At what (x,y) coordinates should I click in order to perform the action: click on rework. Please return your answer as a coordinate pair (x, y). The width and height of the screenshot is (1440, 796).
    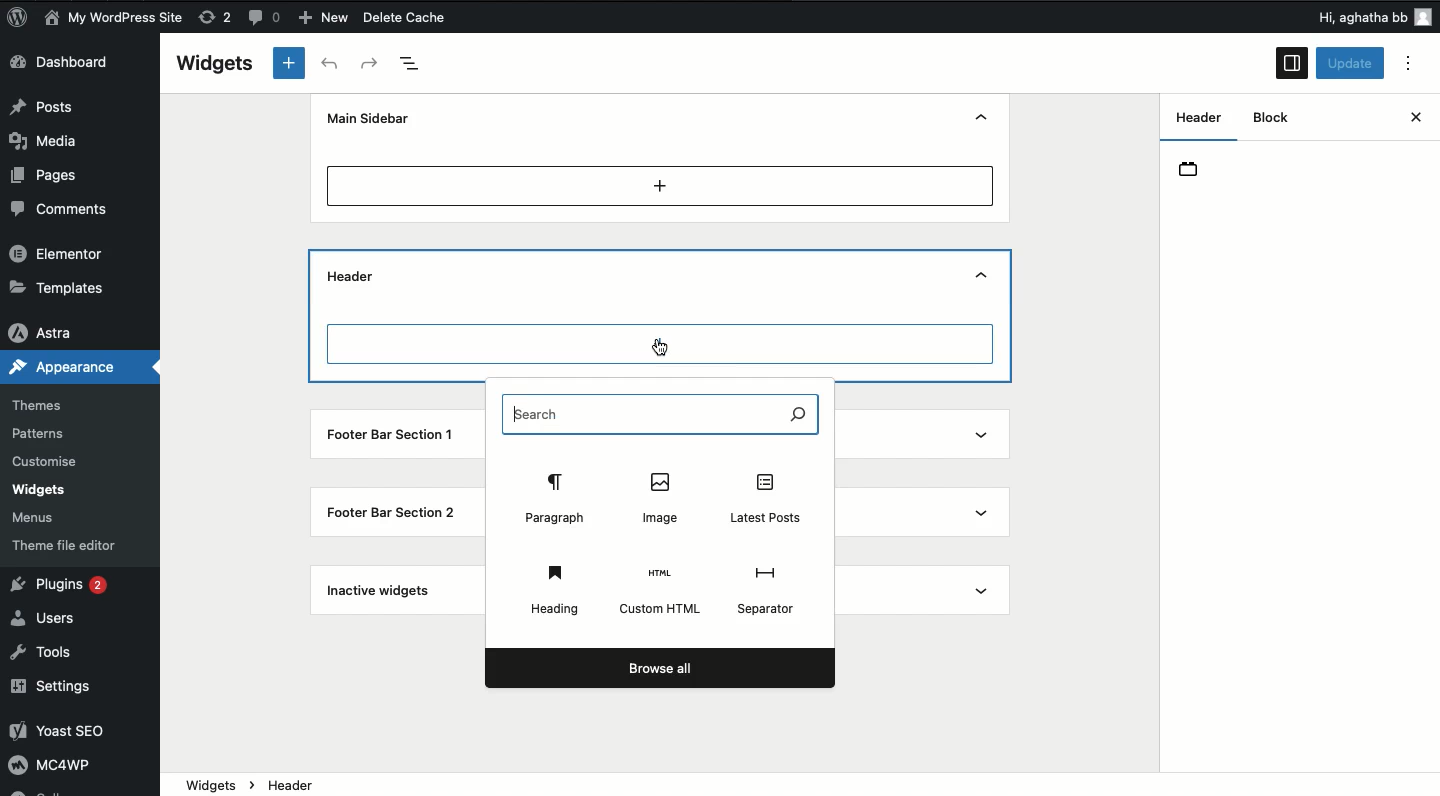
    Looking at the image, I should click on (218, 20).